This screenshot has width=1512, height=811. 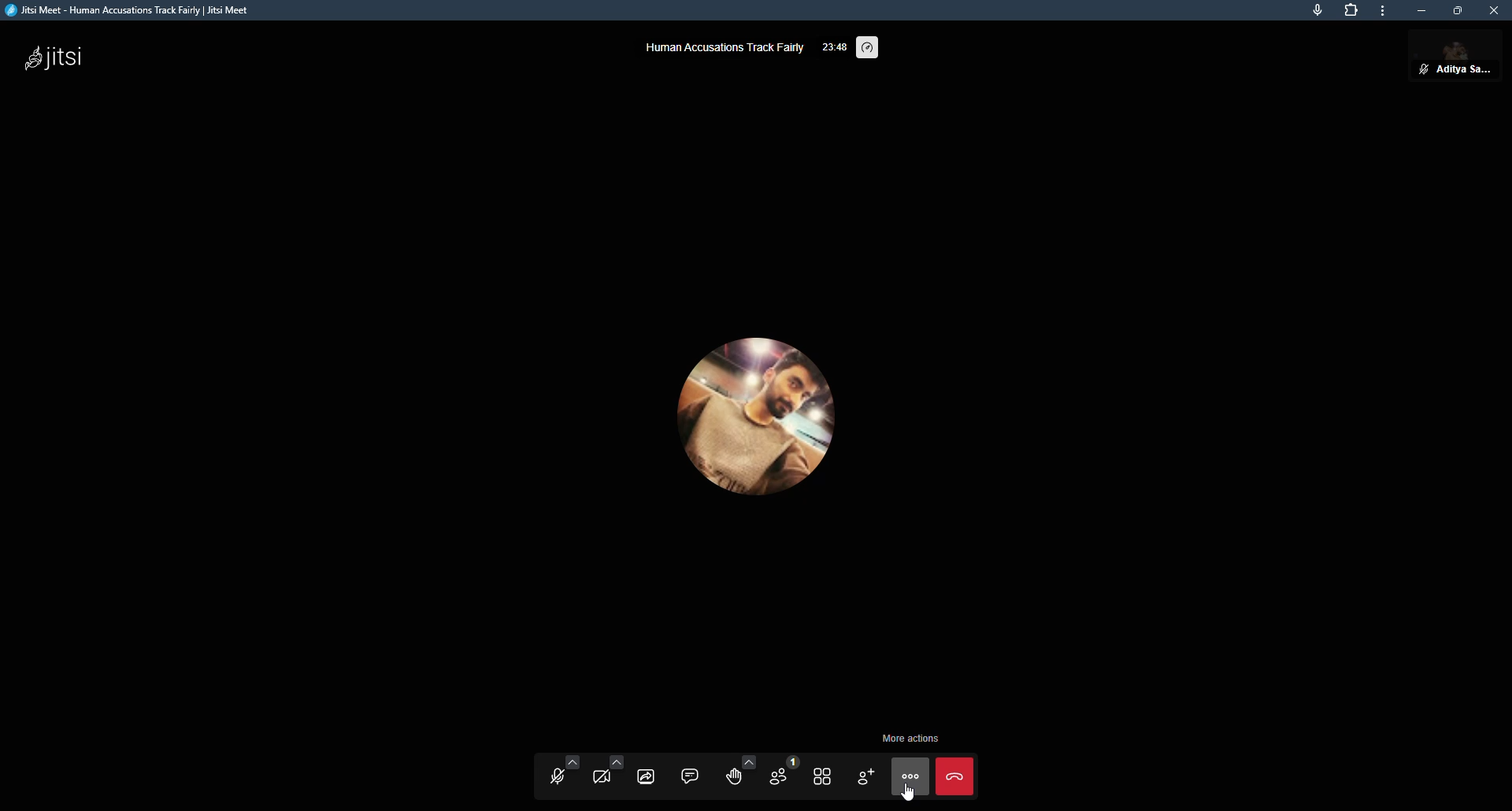 What do you see at coordinates (736, 773) in the screenshot?
I see `raise hand` at bounding box center [736, 773].